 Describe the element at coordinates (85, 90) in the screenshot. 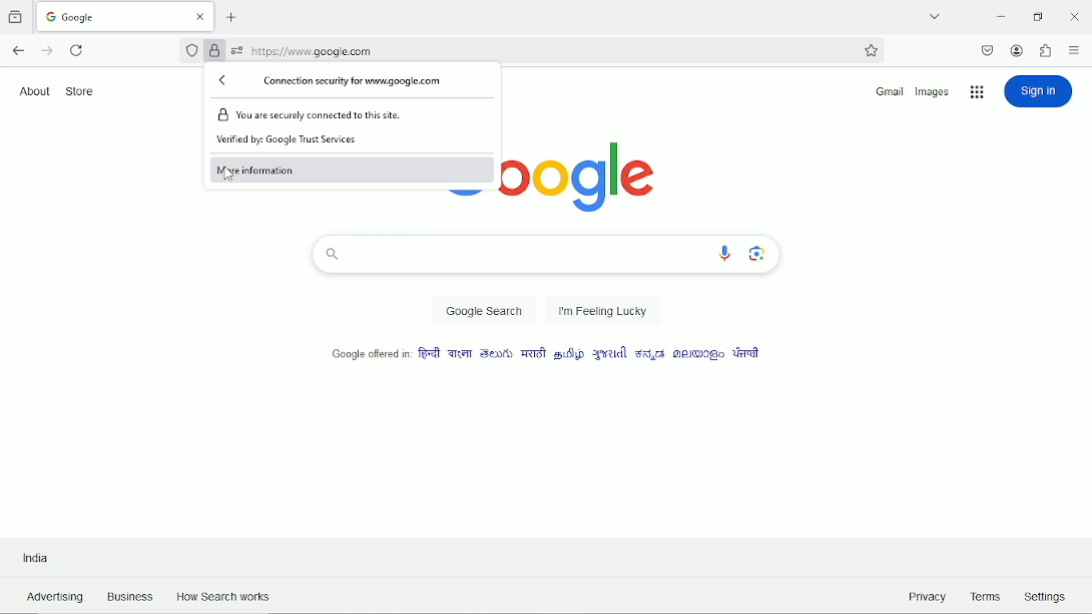

I see `Store` at that location.